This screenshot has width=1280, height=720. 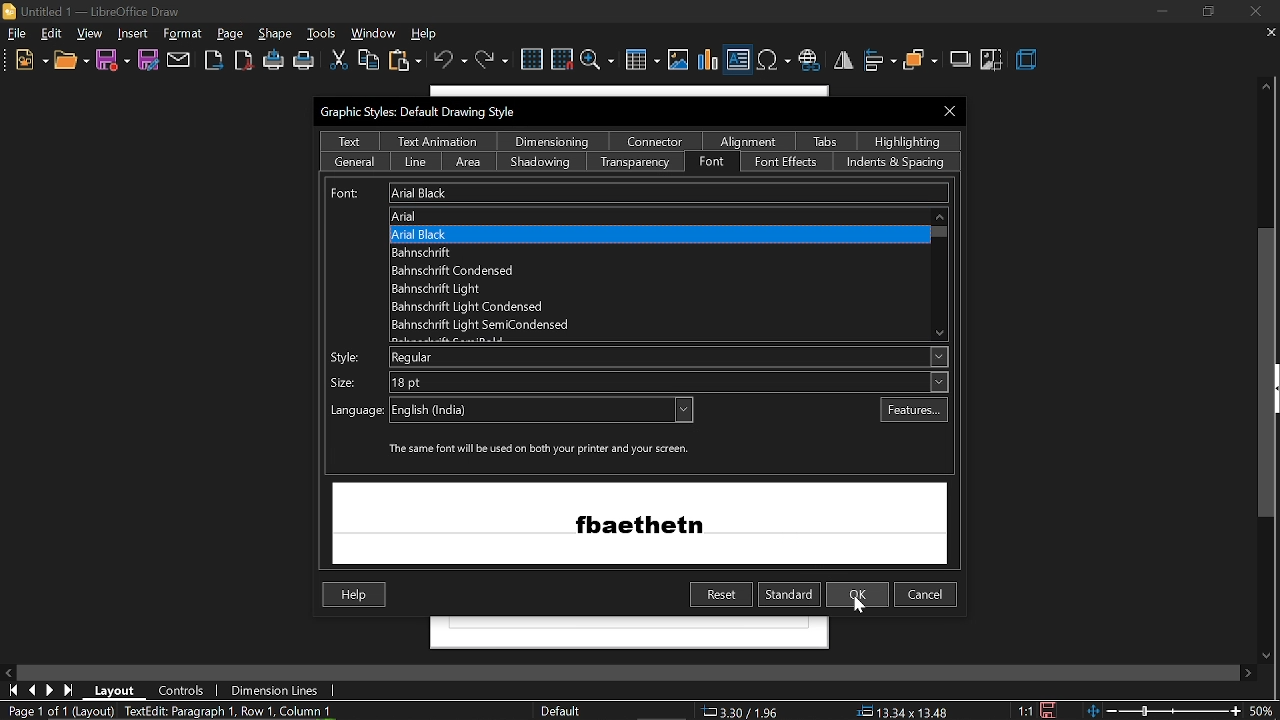 What do you see at coordinates (243, 60) in the screenshot?
I see `export as pdf` at bounding box center [243, 60].